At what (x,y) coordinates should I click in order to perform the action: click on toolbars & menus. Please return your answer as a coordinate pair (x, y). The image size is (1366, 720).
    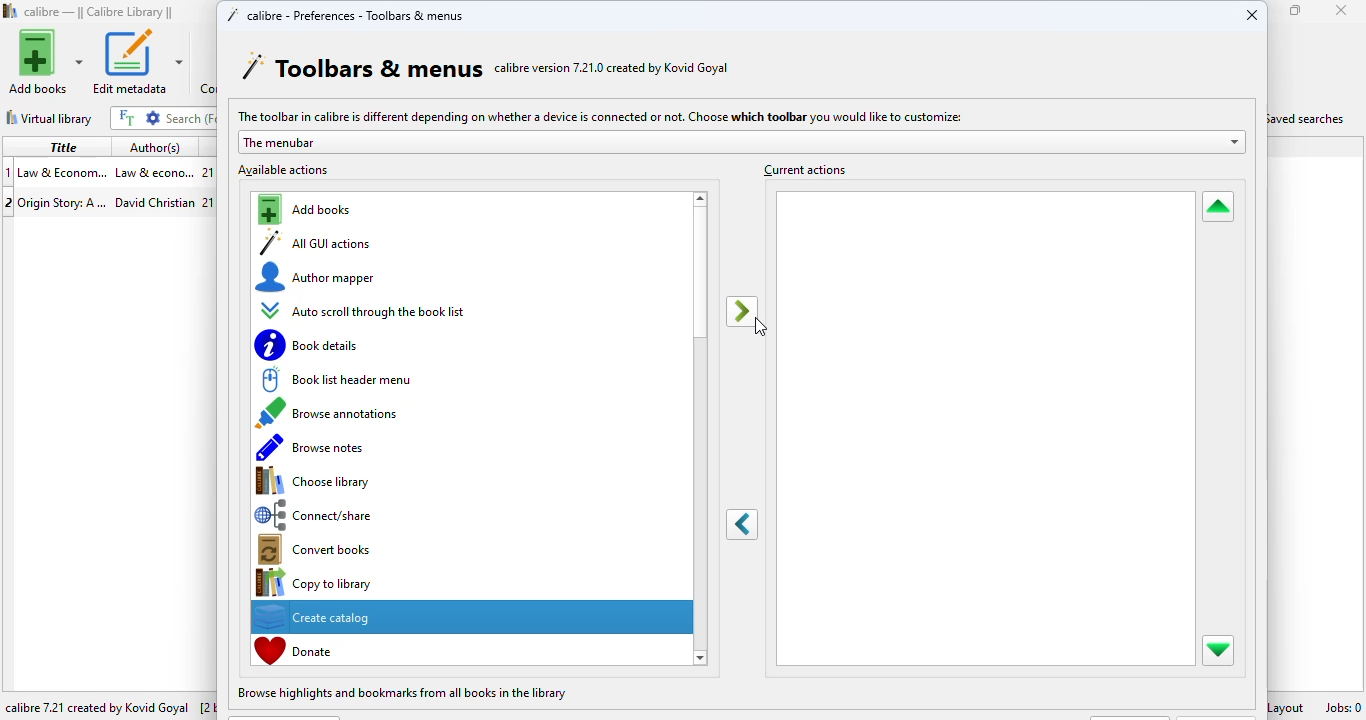
    Looking at the image, I should click on (362, 67).